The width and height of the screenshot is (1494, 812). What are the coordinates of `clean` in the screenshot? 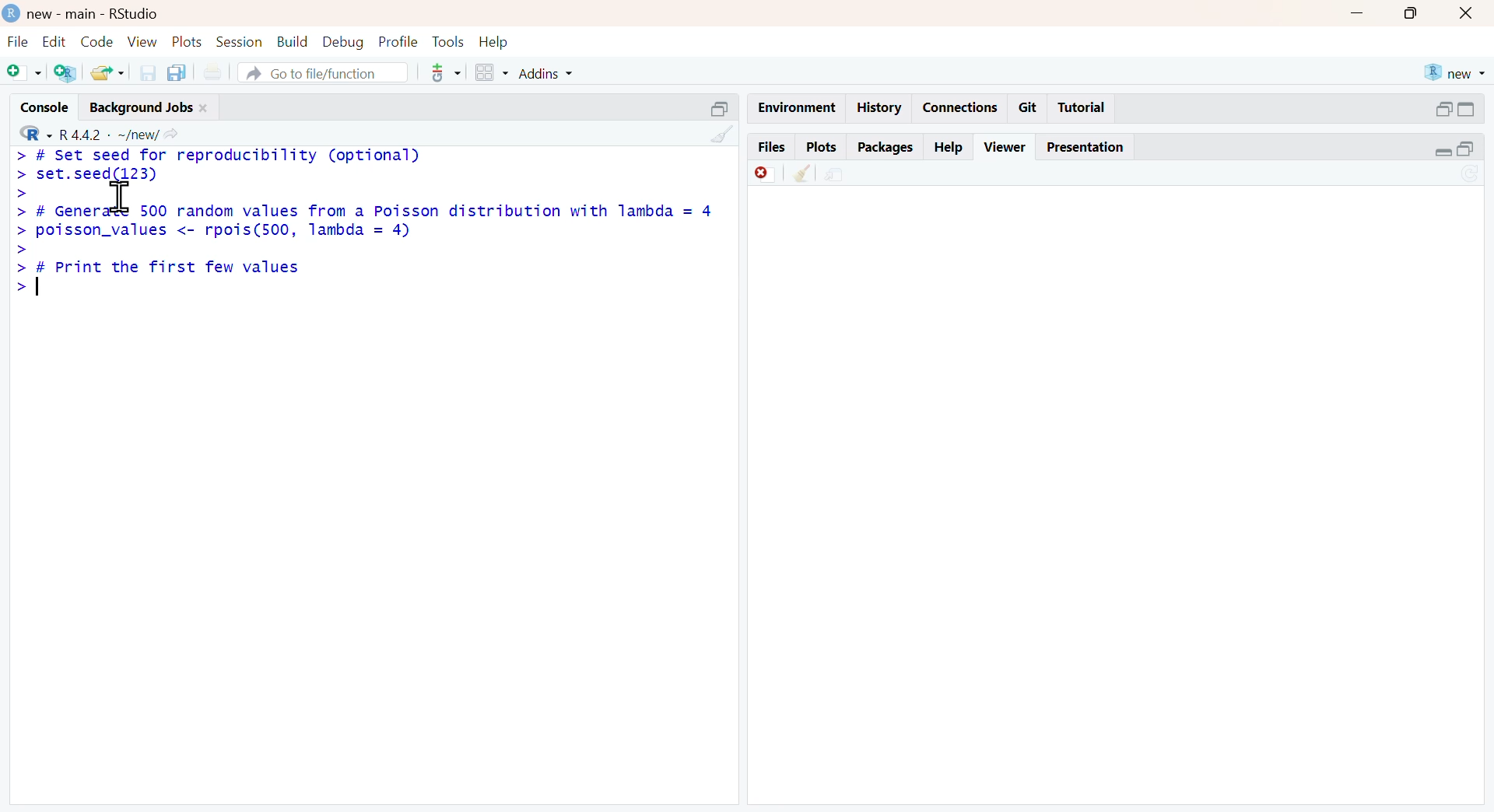 It's located at (801, 174).